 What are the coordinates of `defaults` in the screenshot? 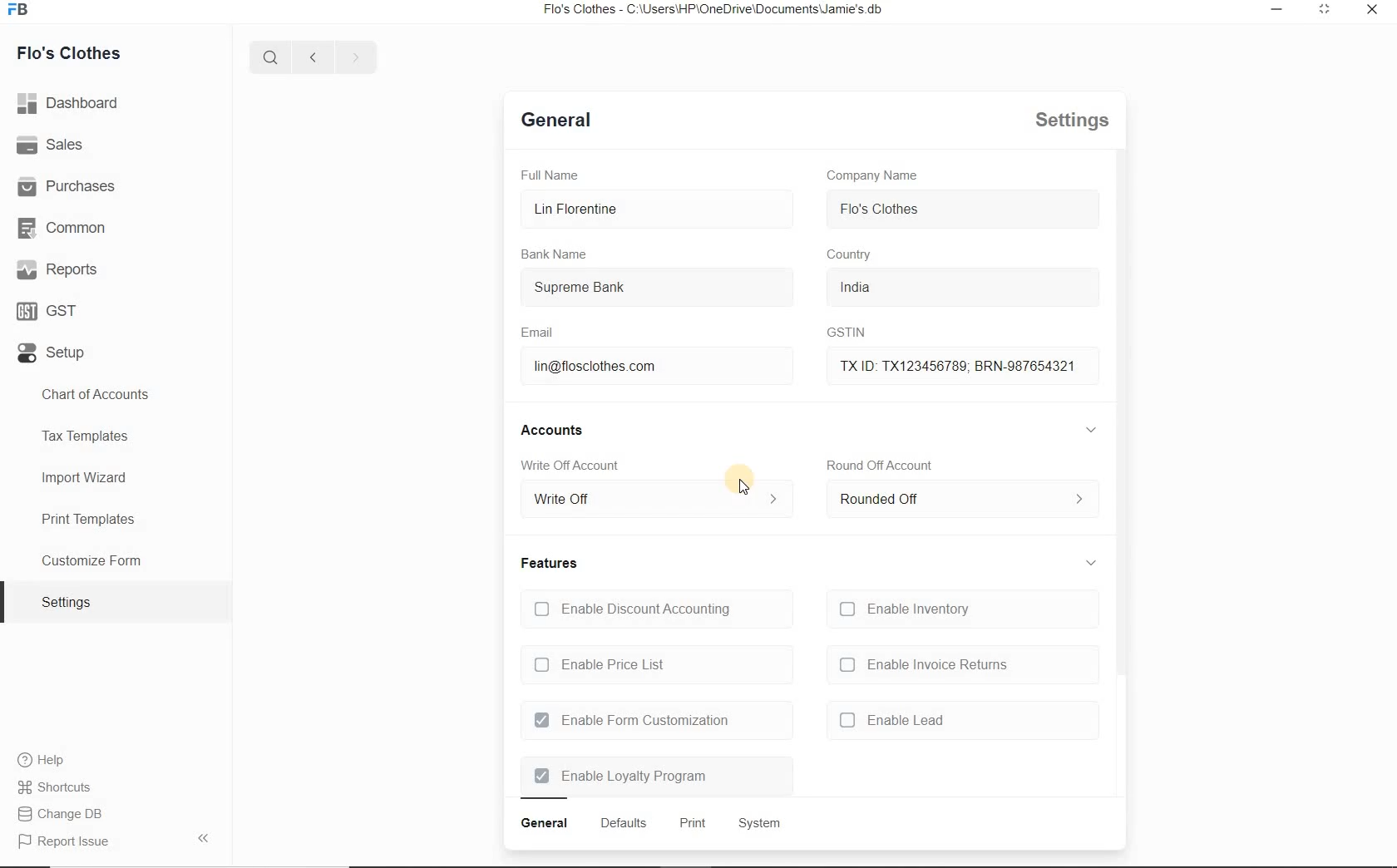 It's located at (623, 823).